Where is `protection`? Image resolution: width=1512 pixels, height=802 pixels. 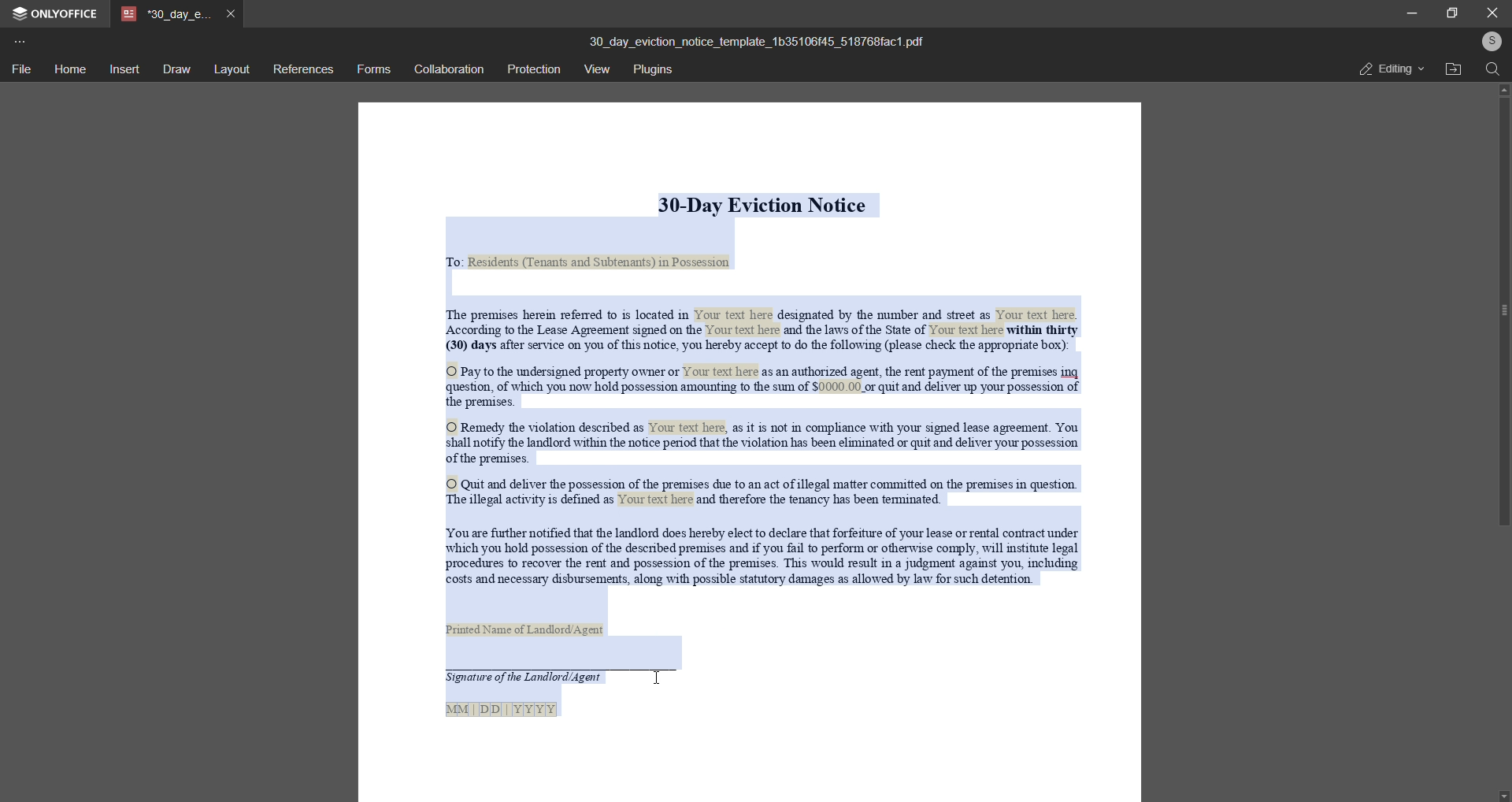 protection is located at coordinates (533, 68).